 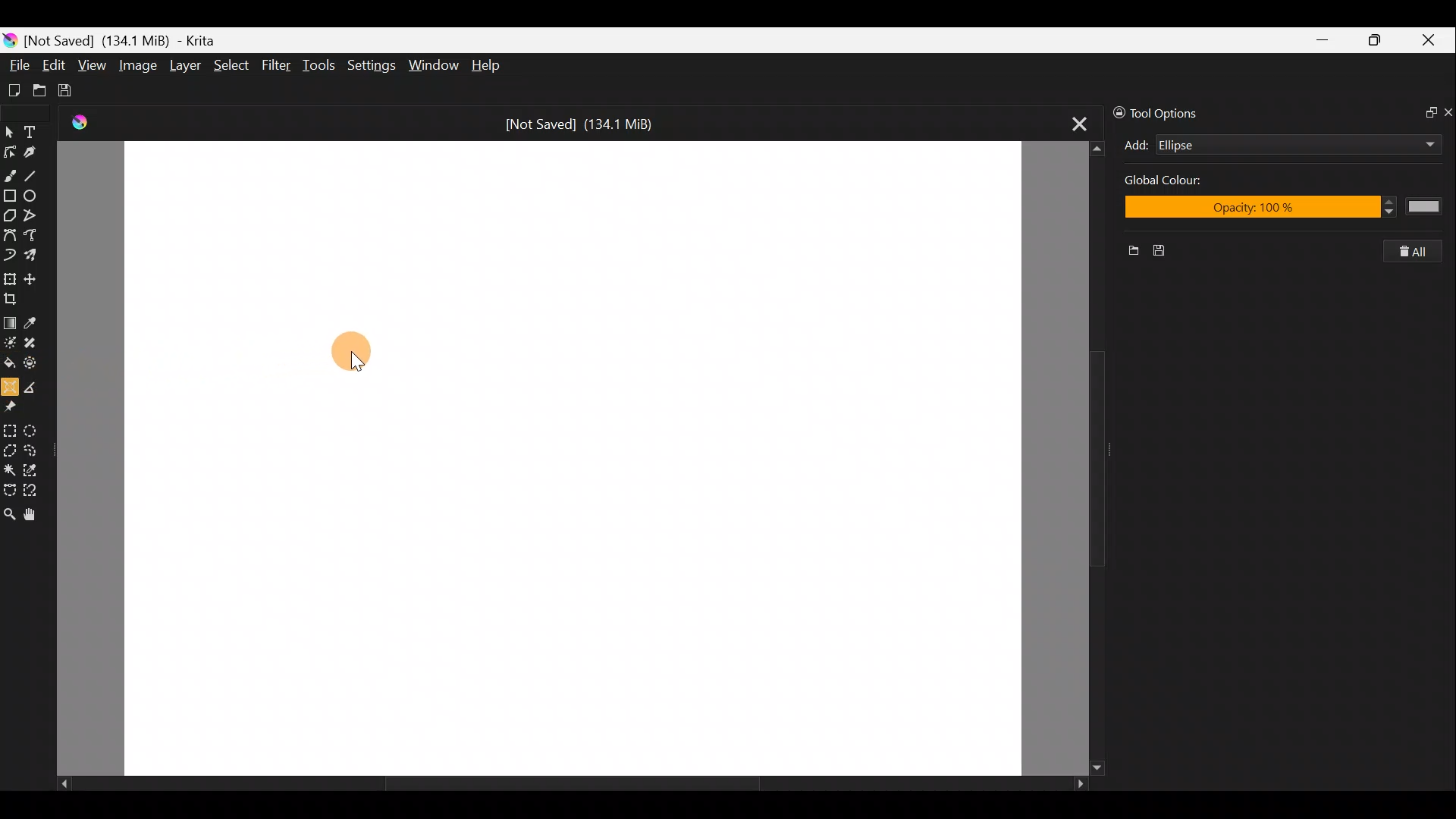 What do you see at coordinates (36, 449) in the screenshot?
I see `Freehand selection tool` at bounding box center [36, 449].